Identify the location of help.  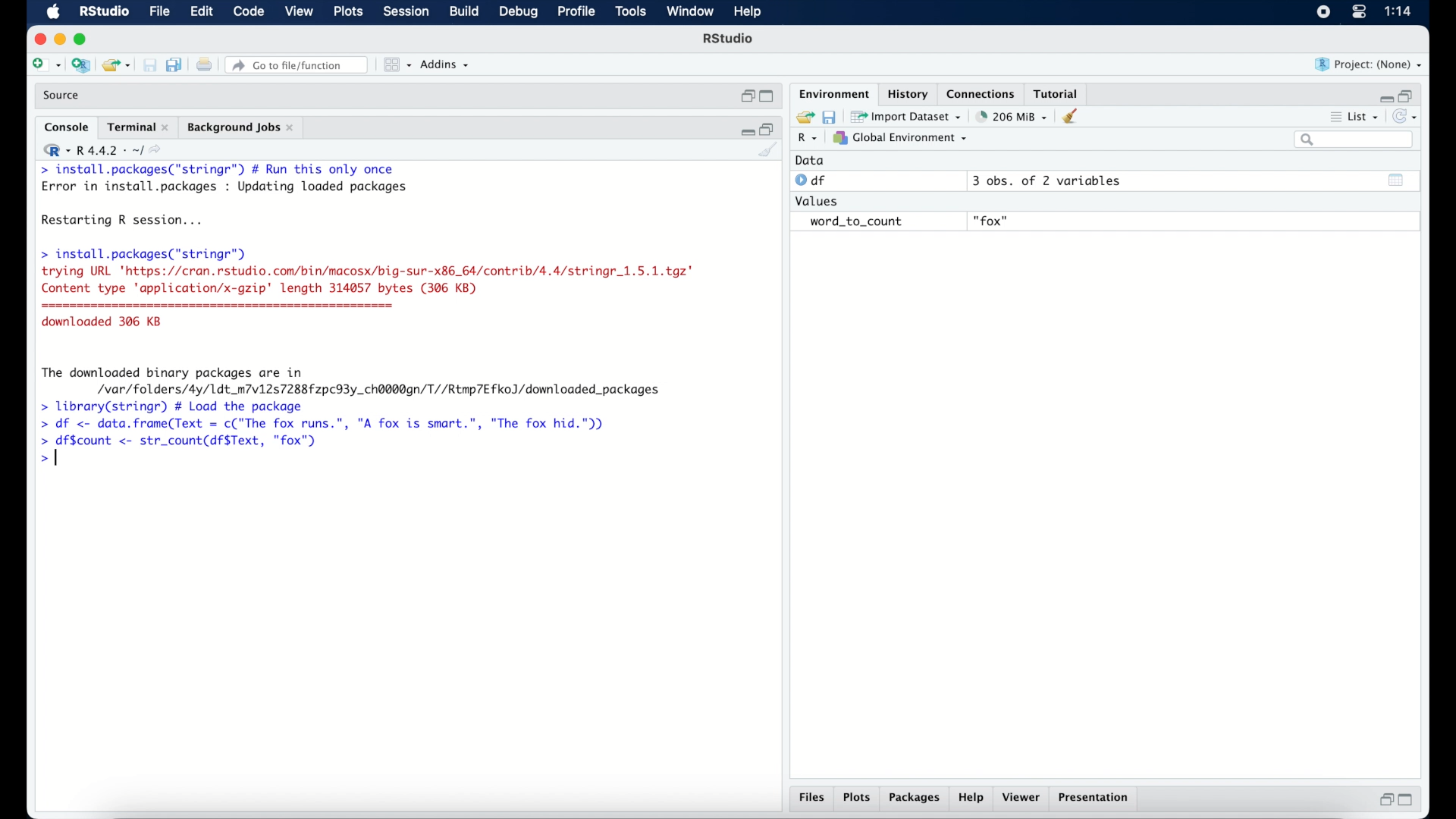
(973, 799).